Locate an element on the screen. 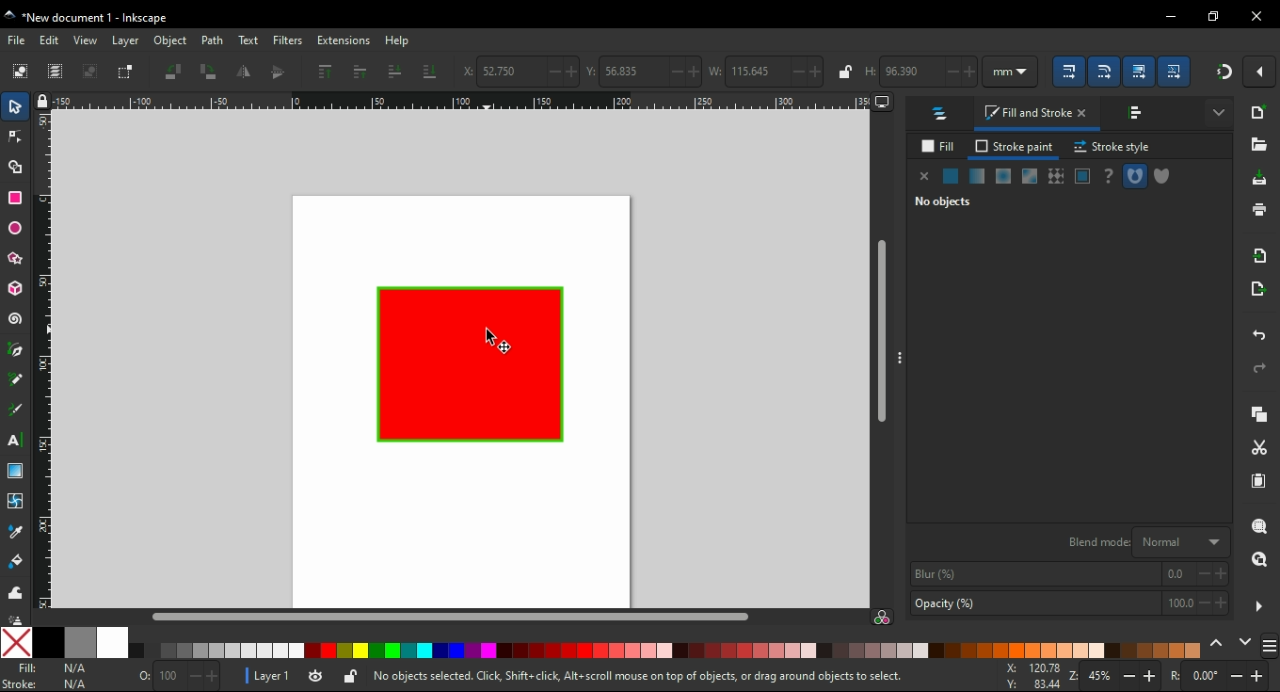 The height and width of the screenshot is (692, 1280). print is located at coordinates (1259, 210).